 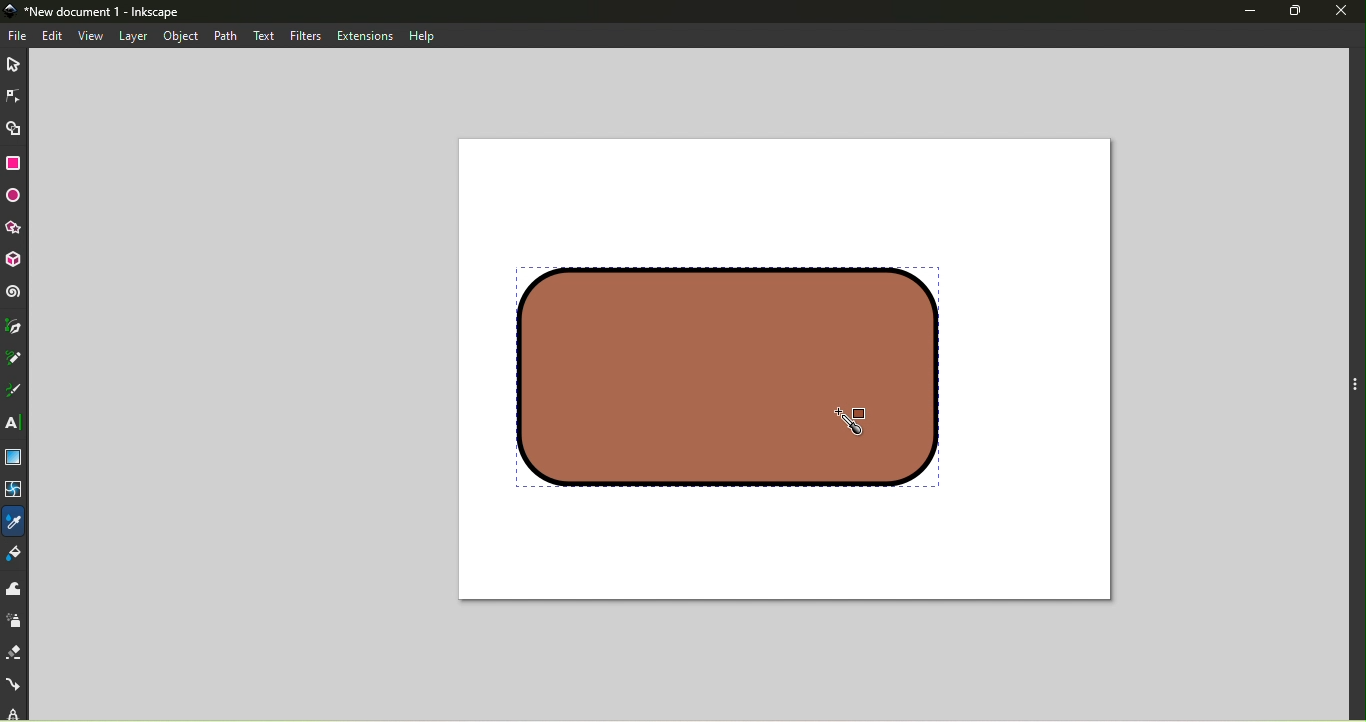 What do you see at coordinates (17, 228) in the screenshot?
I see `Star/polygon tool` at bounding box center [17, 228].